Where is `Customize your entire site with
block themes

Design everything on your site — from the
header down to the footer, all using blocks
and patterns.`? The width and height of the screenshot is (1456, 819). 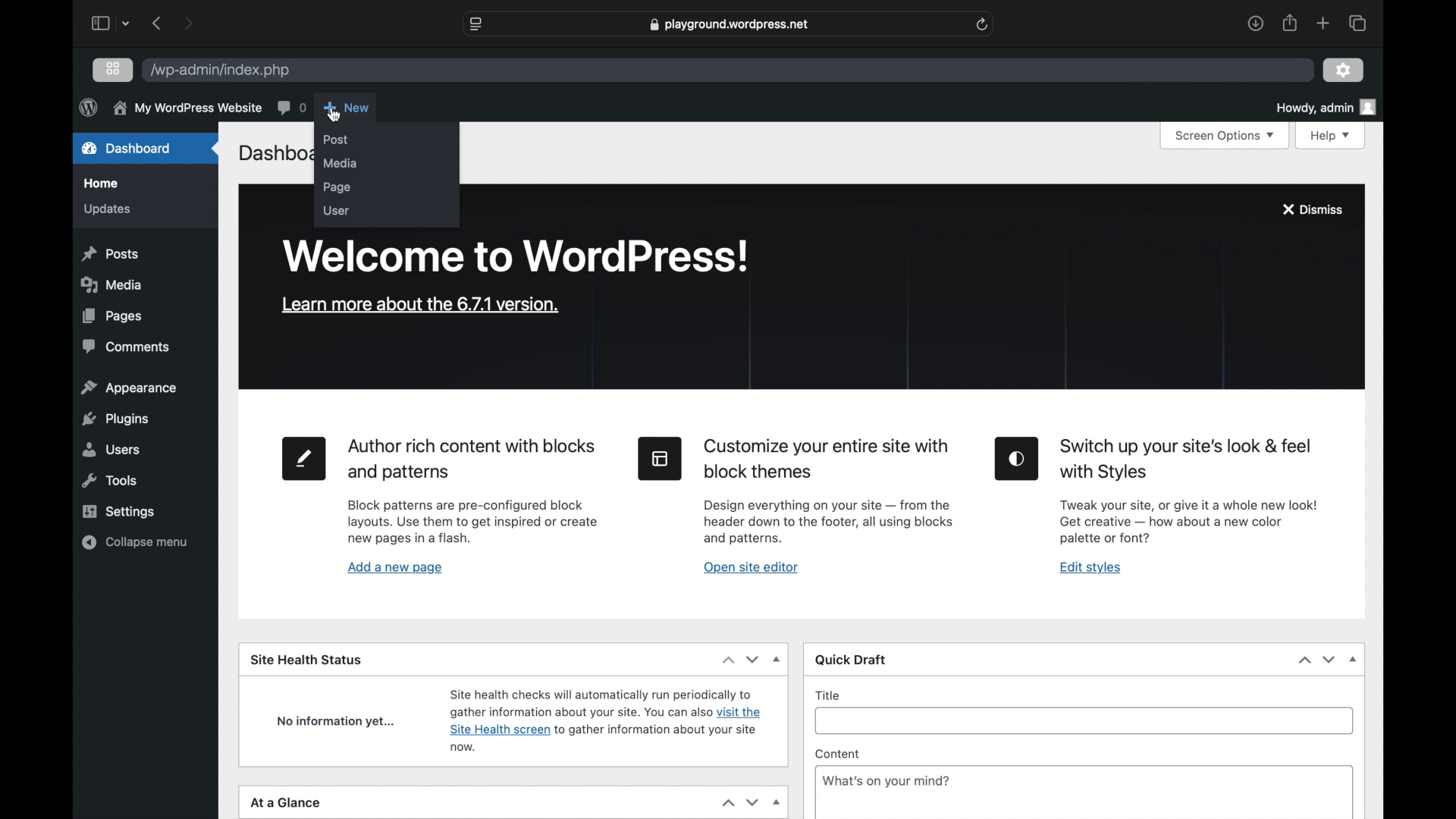
Customize your entire site with
block themes

Design everything on your site — from the
header down to the footer, all using blocks
and patterns. is located at coordinates (831, 491).